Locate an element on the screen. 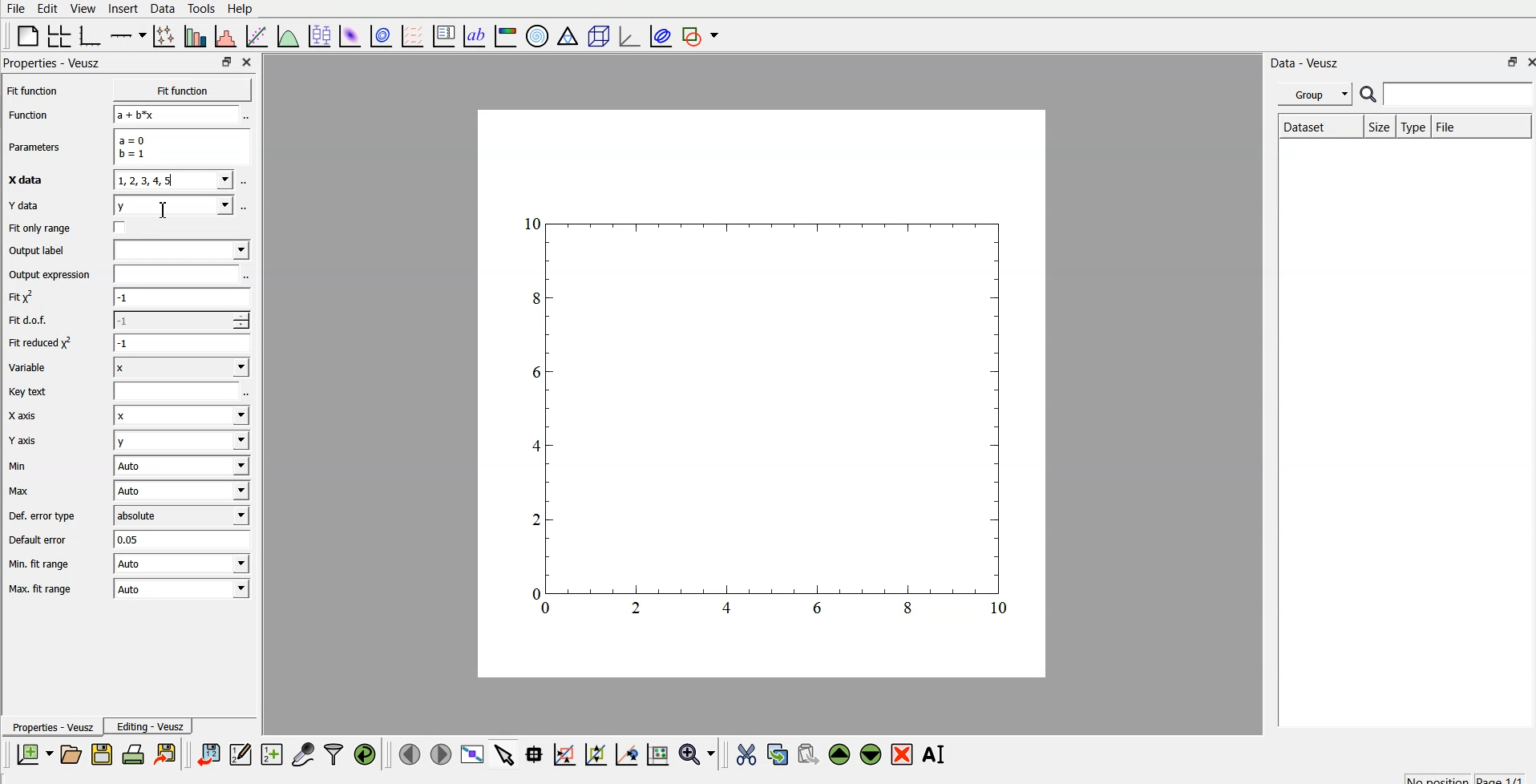 The width and height of the screenshot is (1536, 784). plot a vector field is located at coordinates (412, 37).